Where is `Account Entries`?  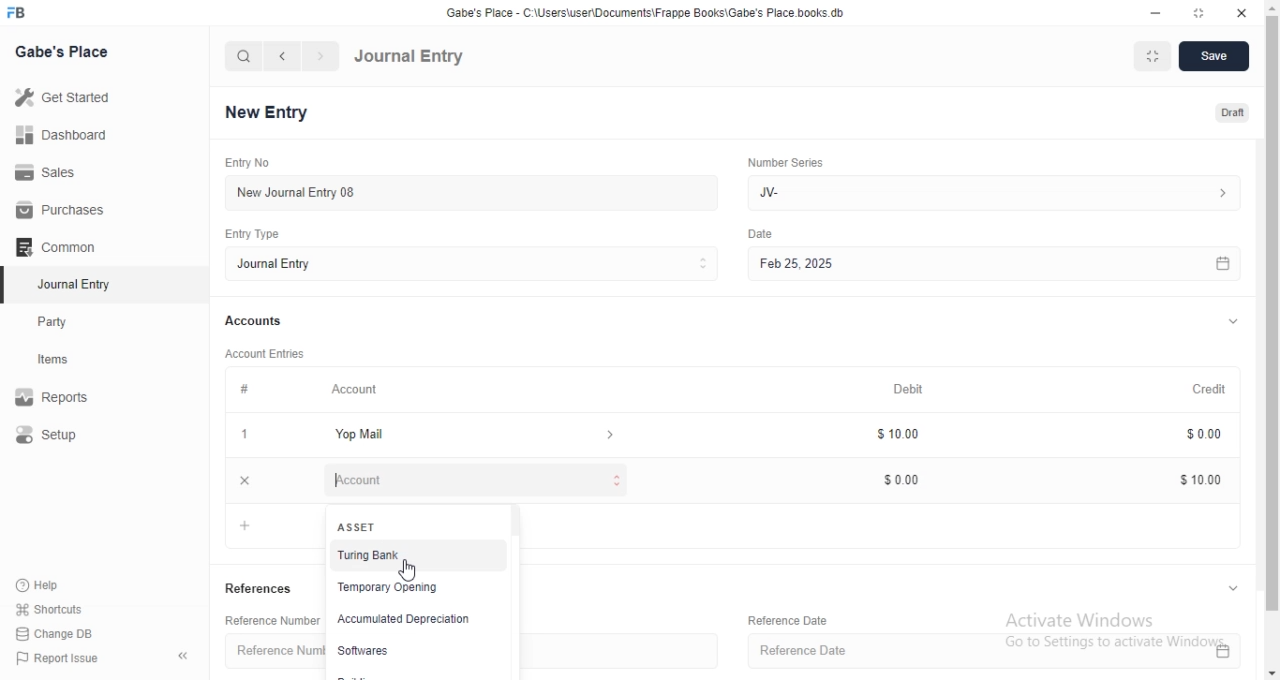 Account Entries is located at coordinates (267, 354).